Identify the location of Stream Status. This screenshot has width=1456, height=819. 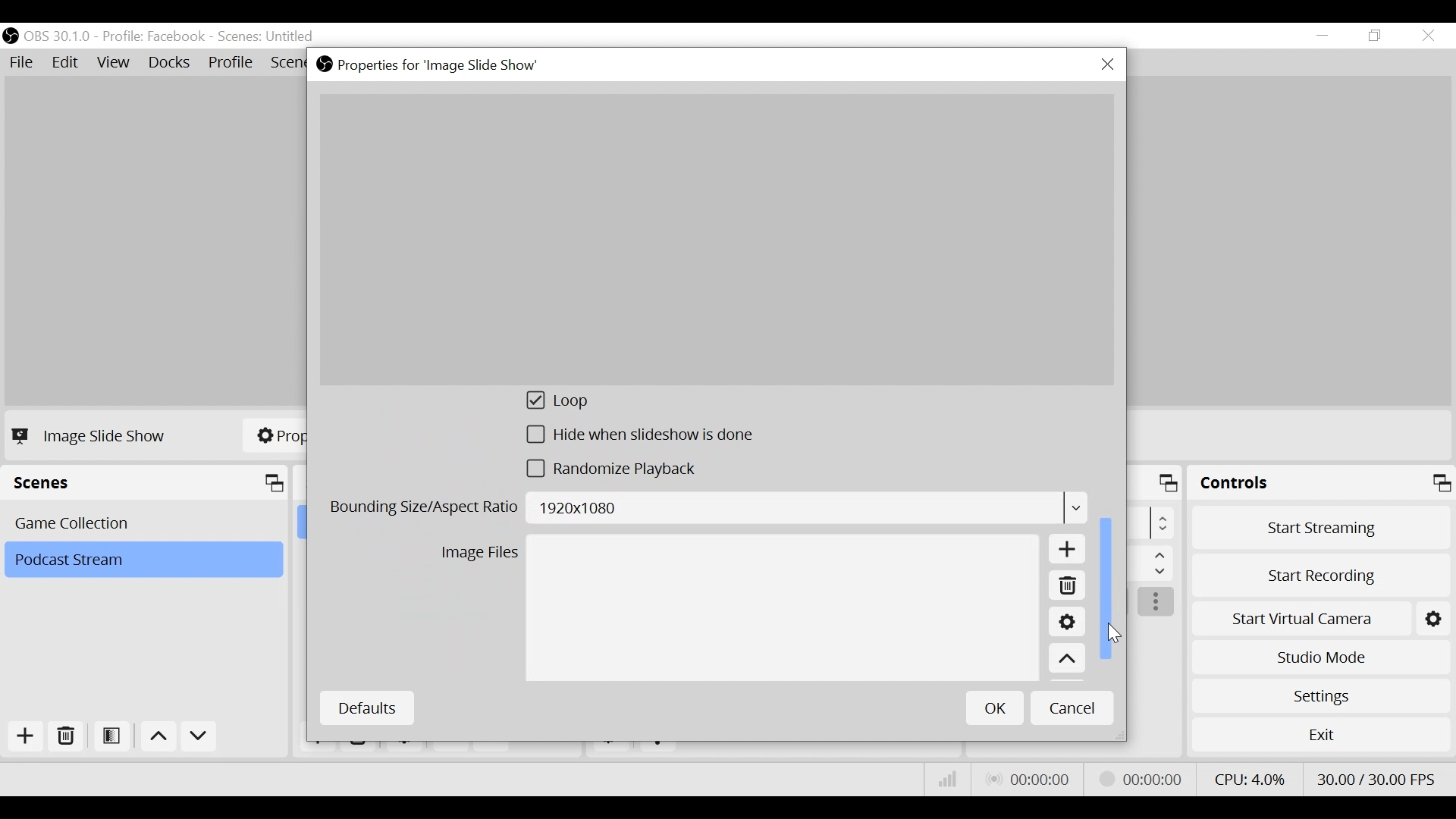
(1141, 777).